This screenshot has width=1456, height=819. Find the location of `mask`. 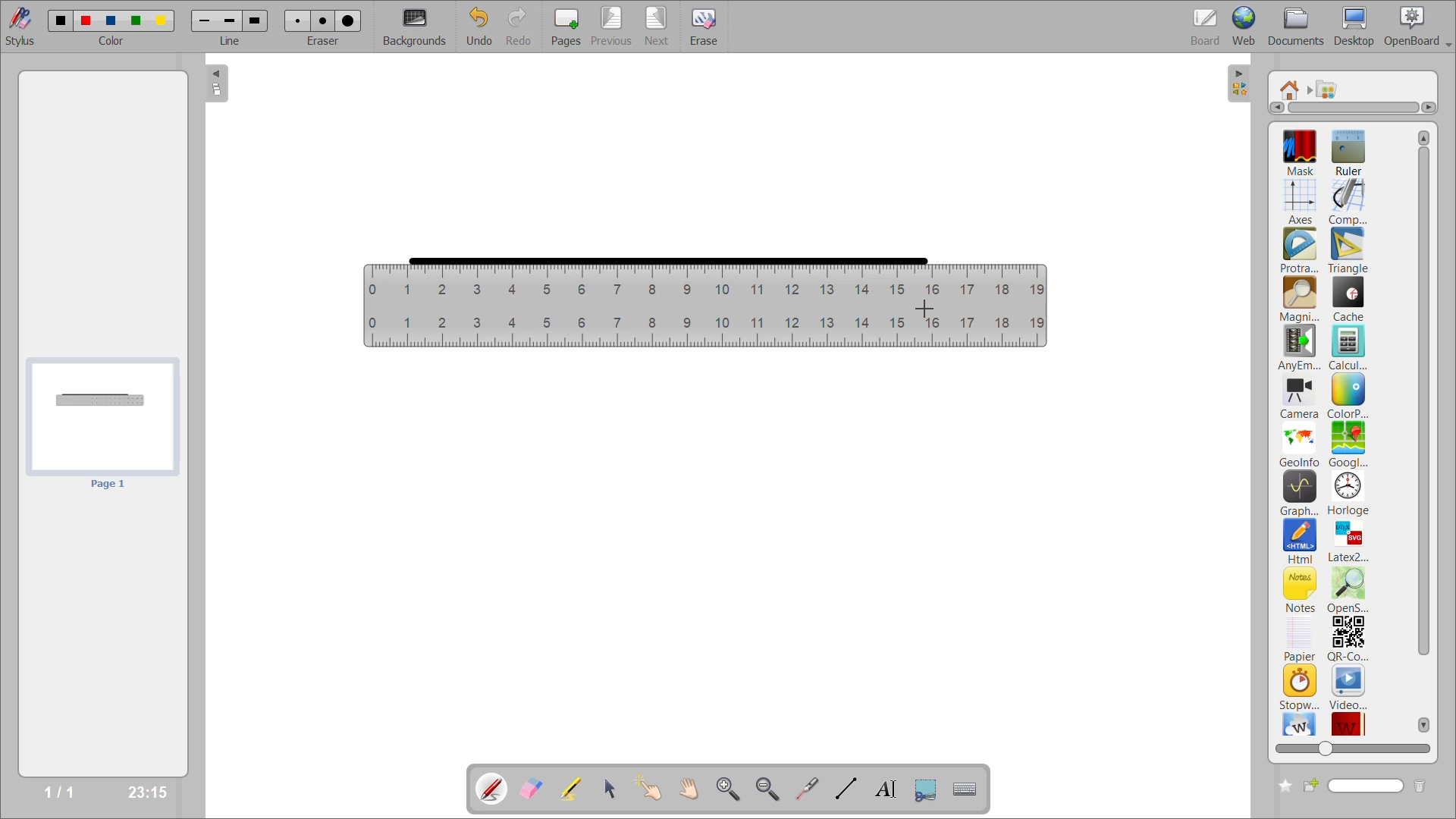

mask is located at coordinates (1304, 152).